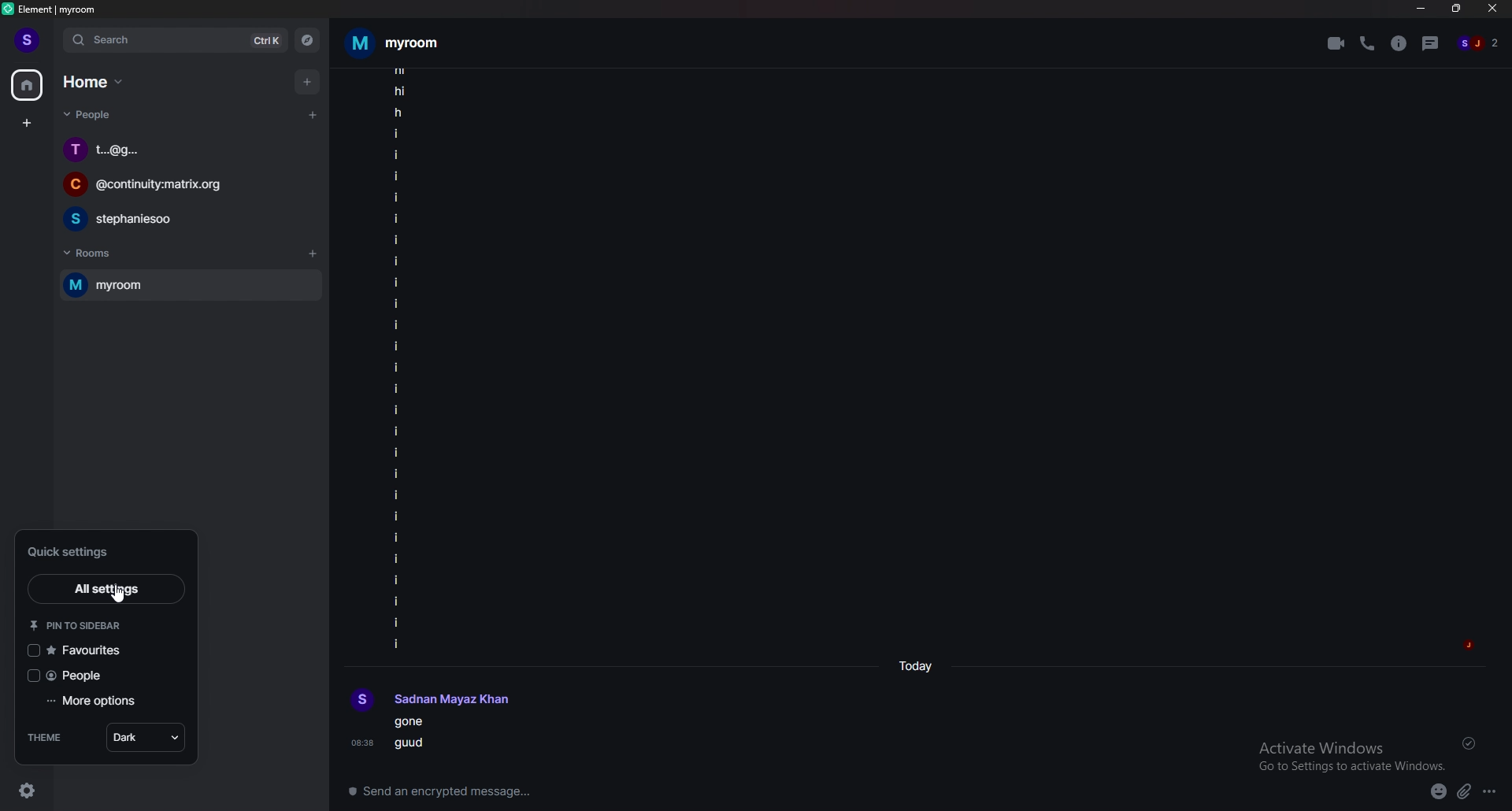 The height and width of the screenshot is (811, 1512). I want to click on chat, so click(186, 218).